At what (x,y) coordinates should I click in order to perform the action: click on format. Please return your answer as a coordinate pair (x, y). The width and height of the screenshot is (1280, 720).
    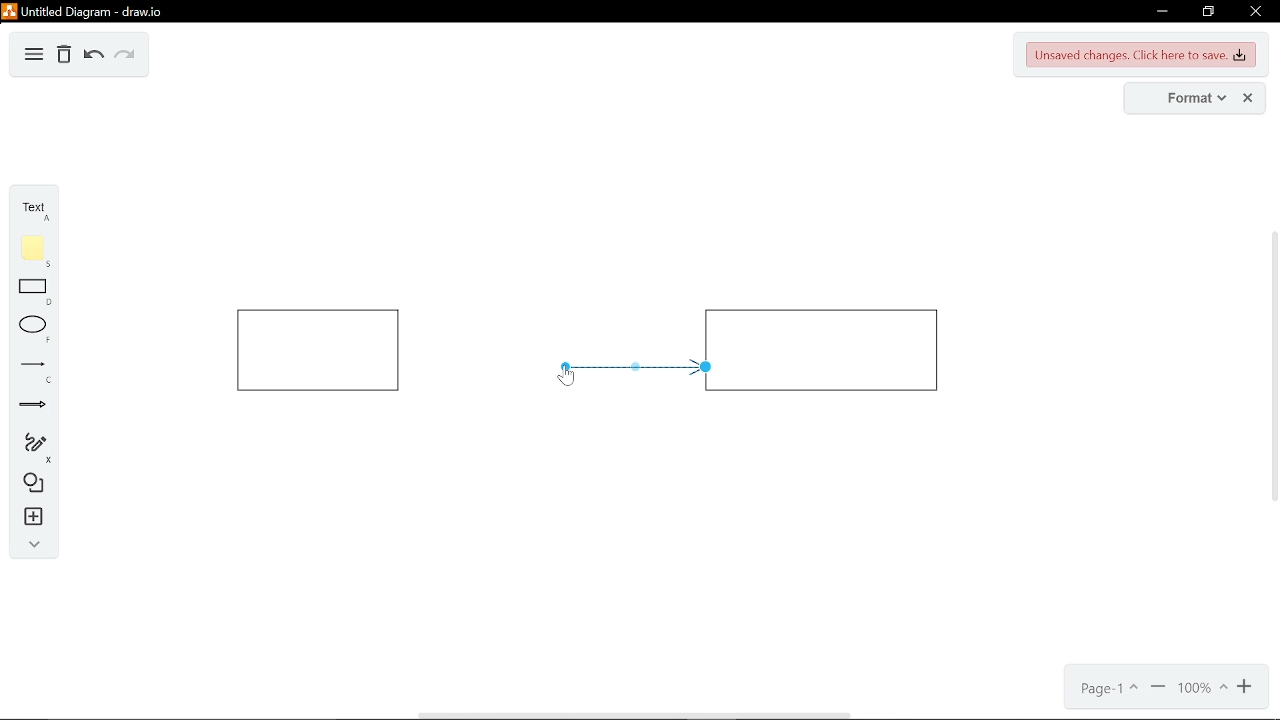
    Looking at the image, I should click on (1184, 98).